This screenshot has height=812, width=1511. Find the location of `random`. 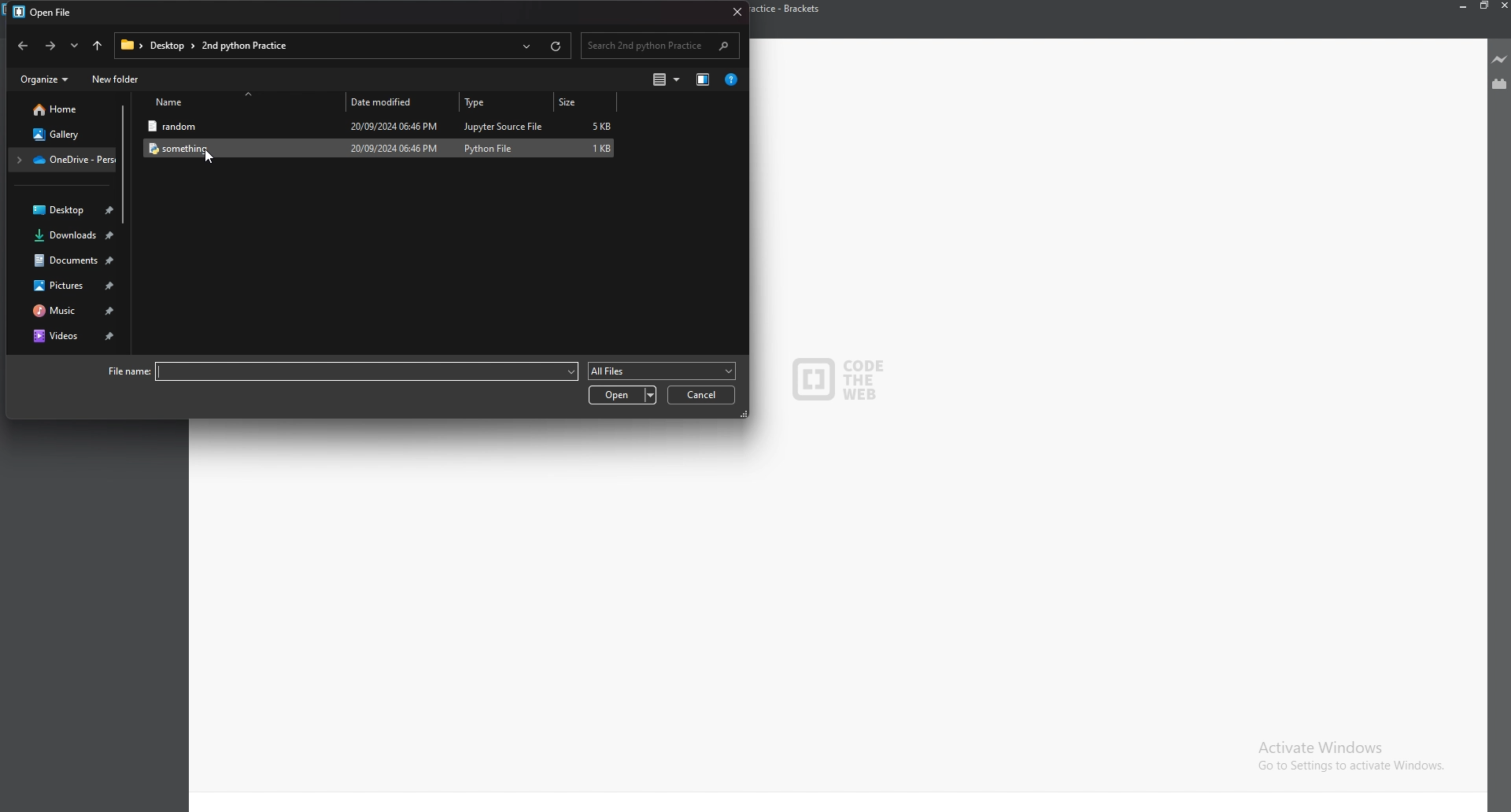

random is located at coordinates (234, 127).